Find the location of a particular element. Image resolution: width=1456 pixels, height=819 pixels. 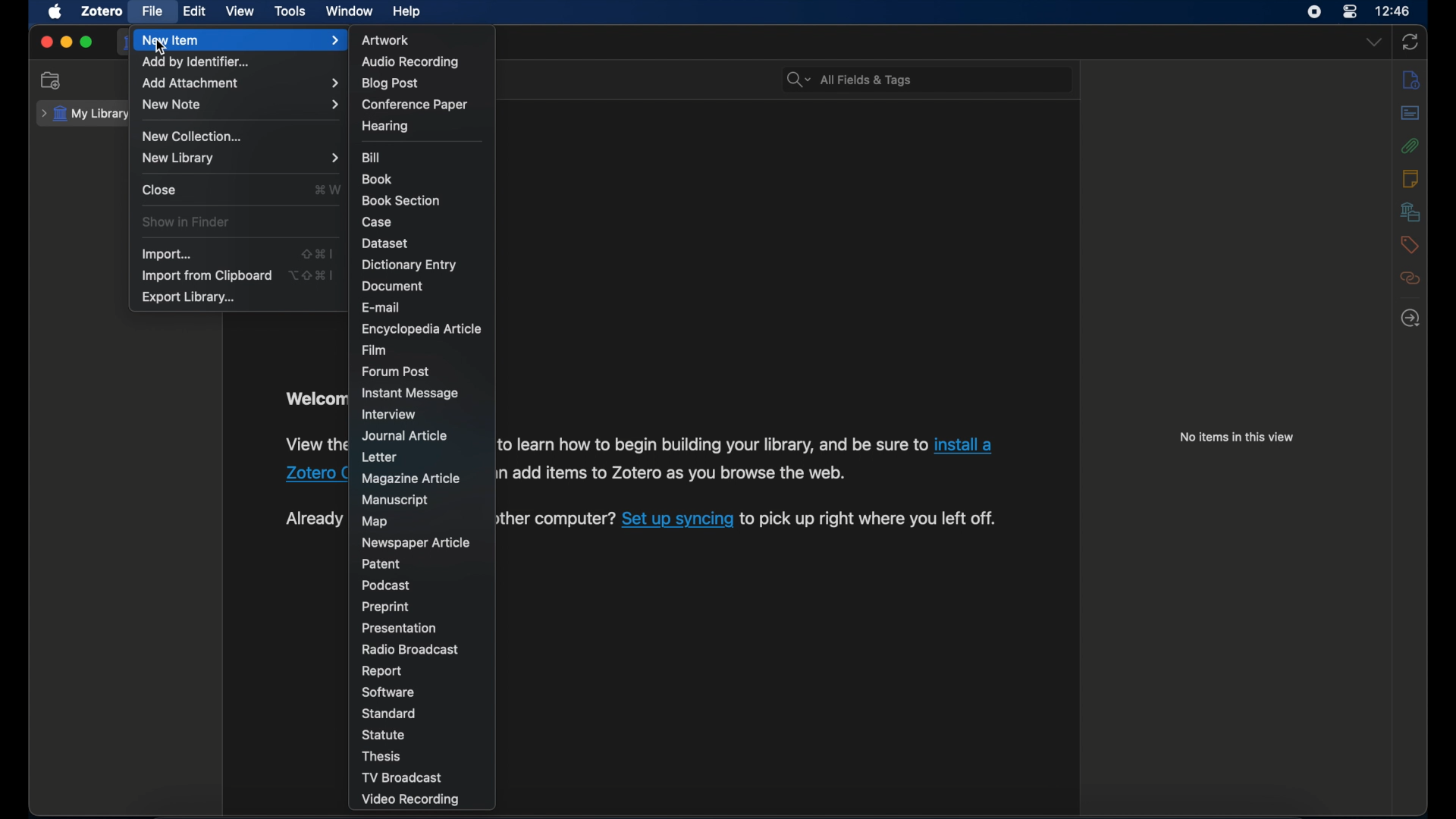

video recording is located at coordinates (409, 799).